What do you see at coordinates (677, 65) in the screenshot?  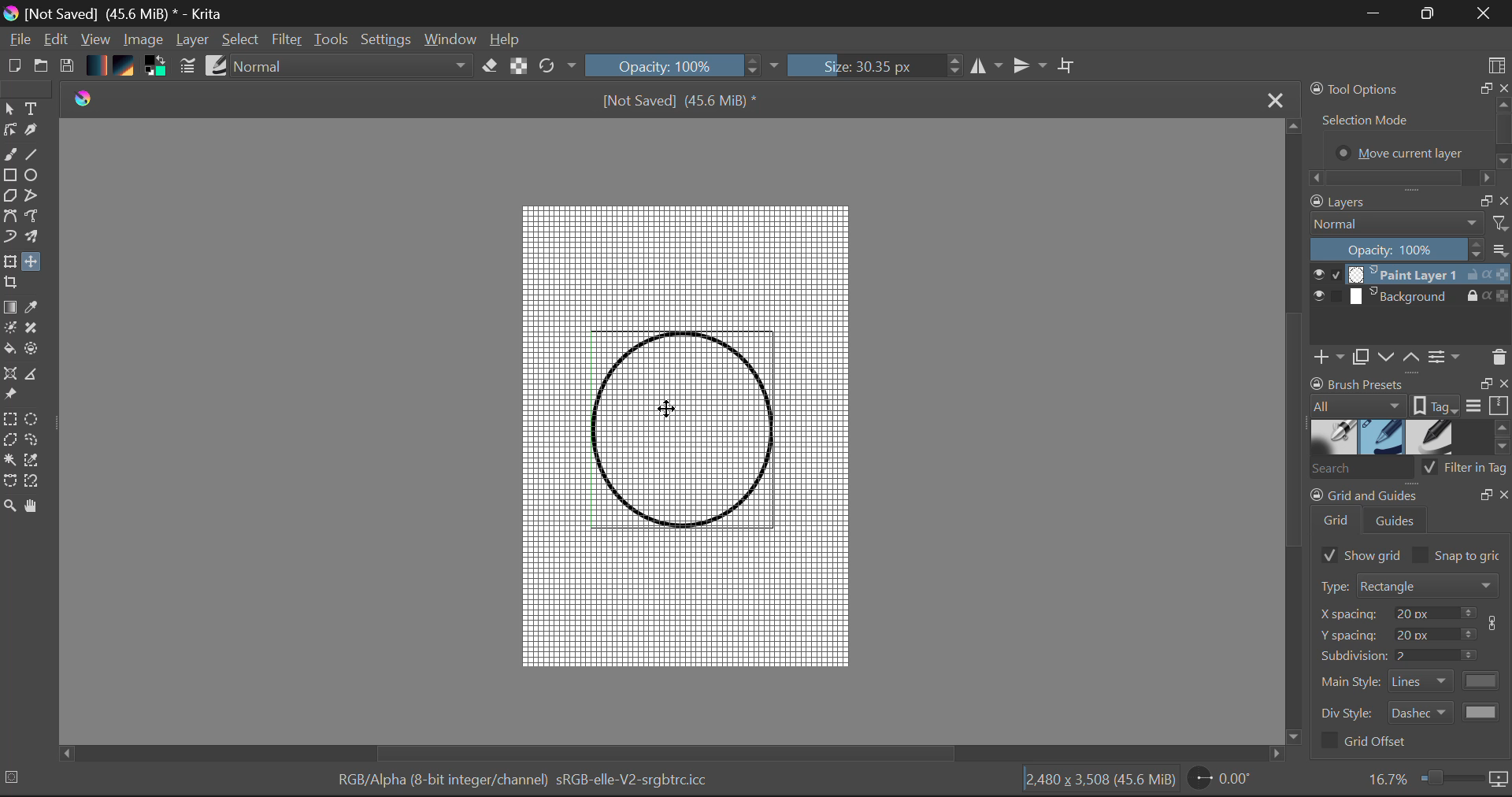 I see `Brush Stroke Opacity` at bounding box center [677, 65].